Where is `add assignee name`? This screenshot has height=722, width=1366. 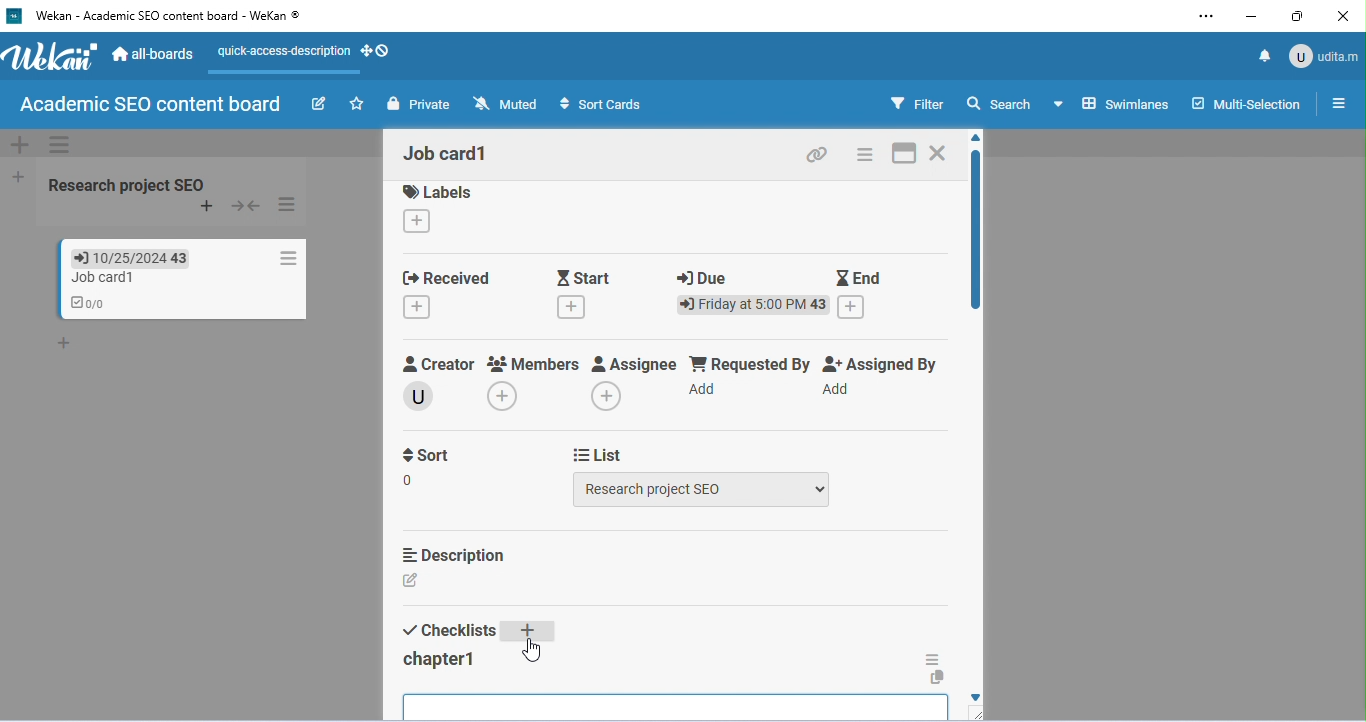
add assignee name is located at coordinates (608, 399).